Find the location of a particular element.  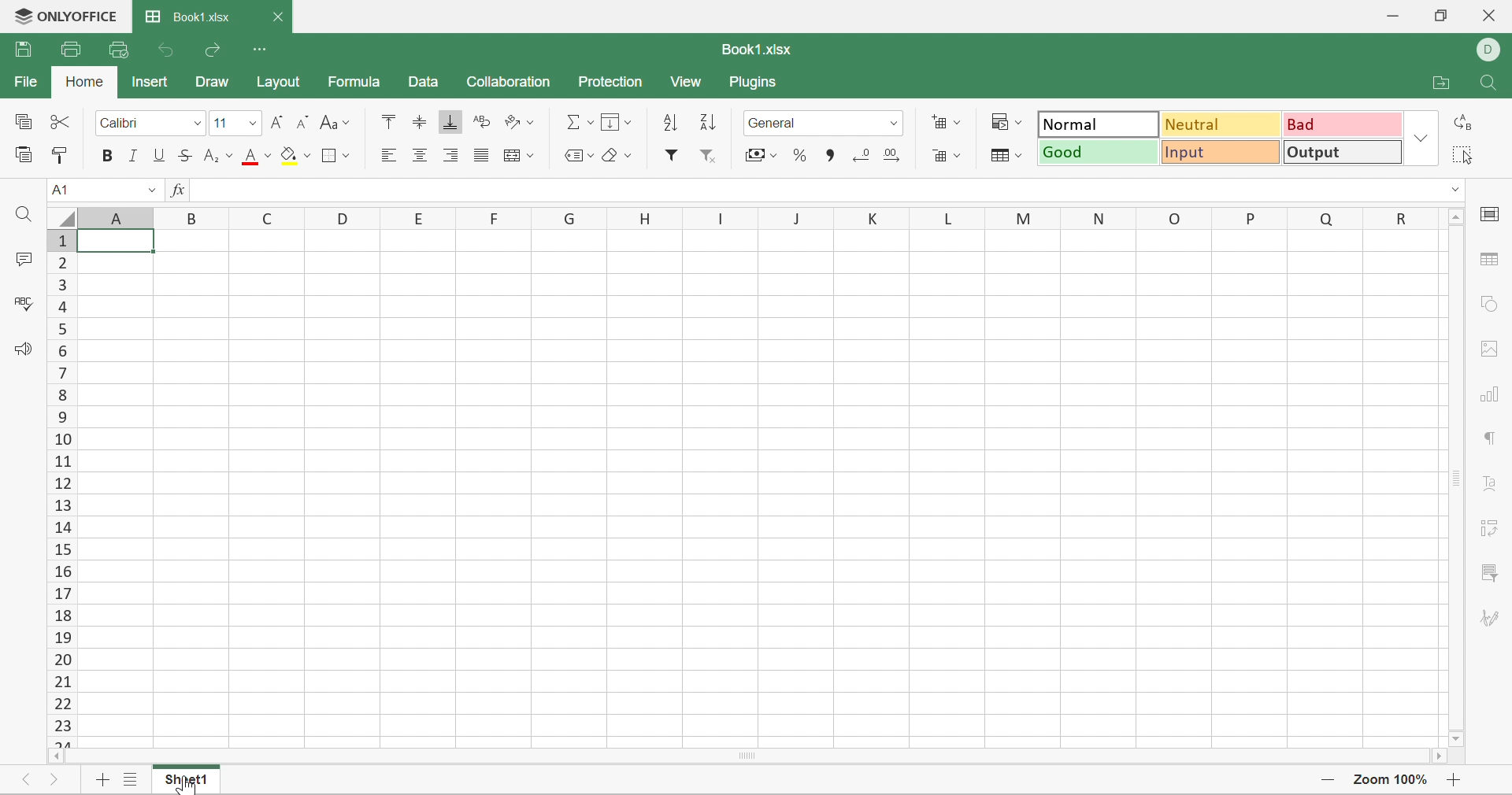

7 is located at coordinates (60, 372).